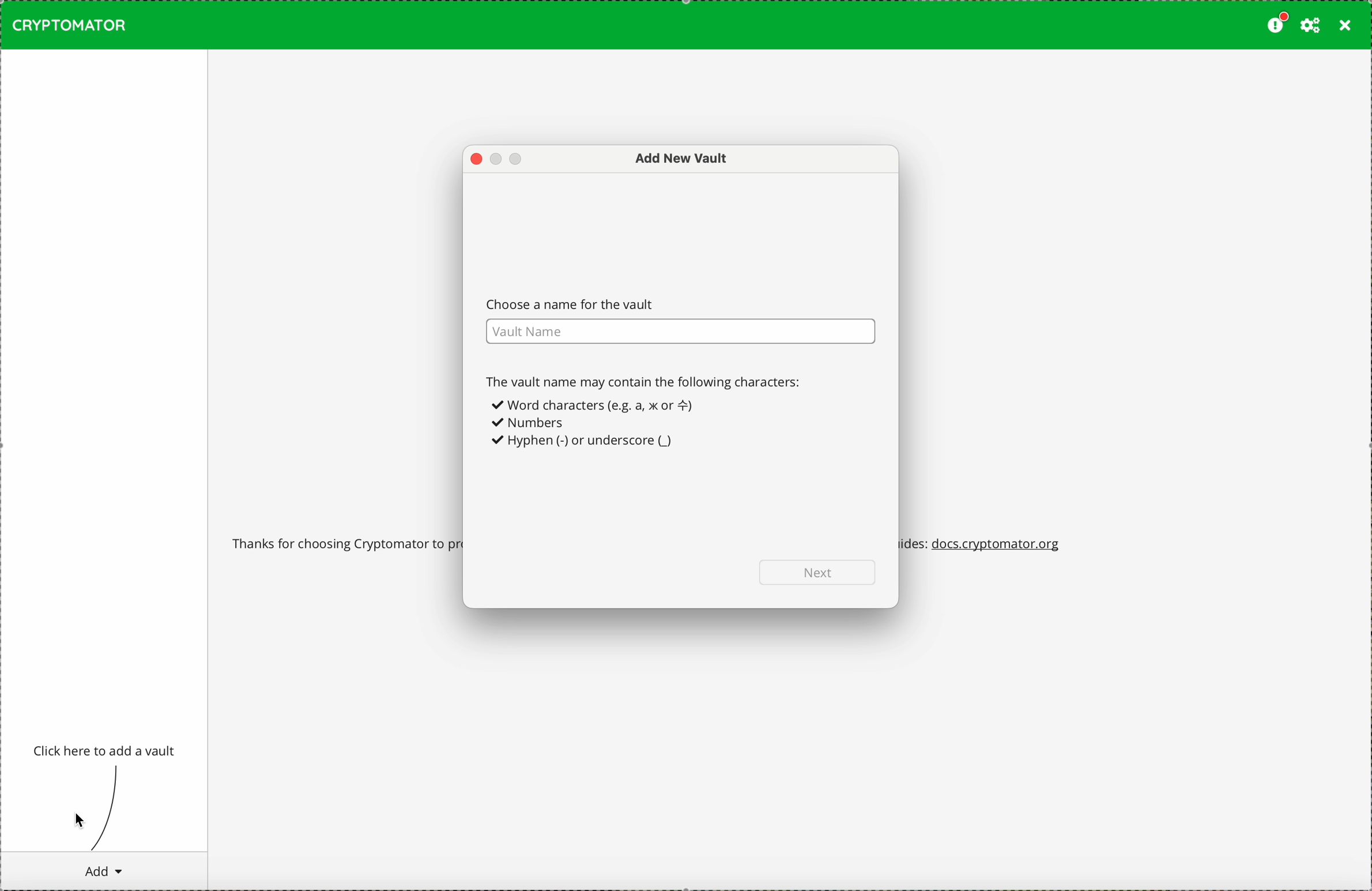  Describe the element at coordinates (585, 443) in the screenshot. I see `Hyphrn (-) or underscore (_)` at that location.